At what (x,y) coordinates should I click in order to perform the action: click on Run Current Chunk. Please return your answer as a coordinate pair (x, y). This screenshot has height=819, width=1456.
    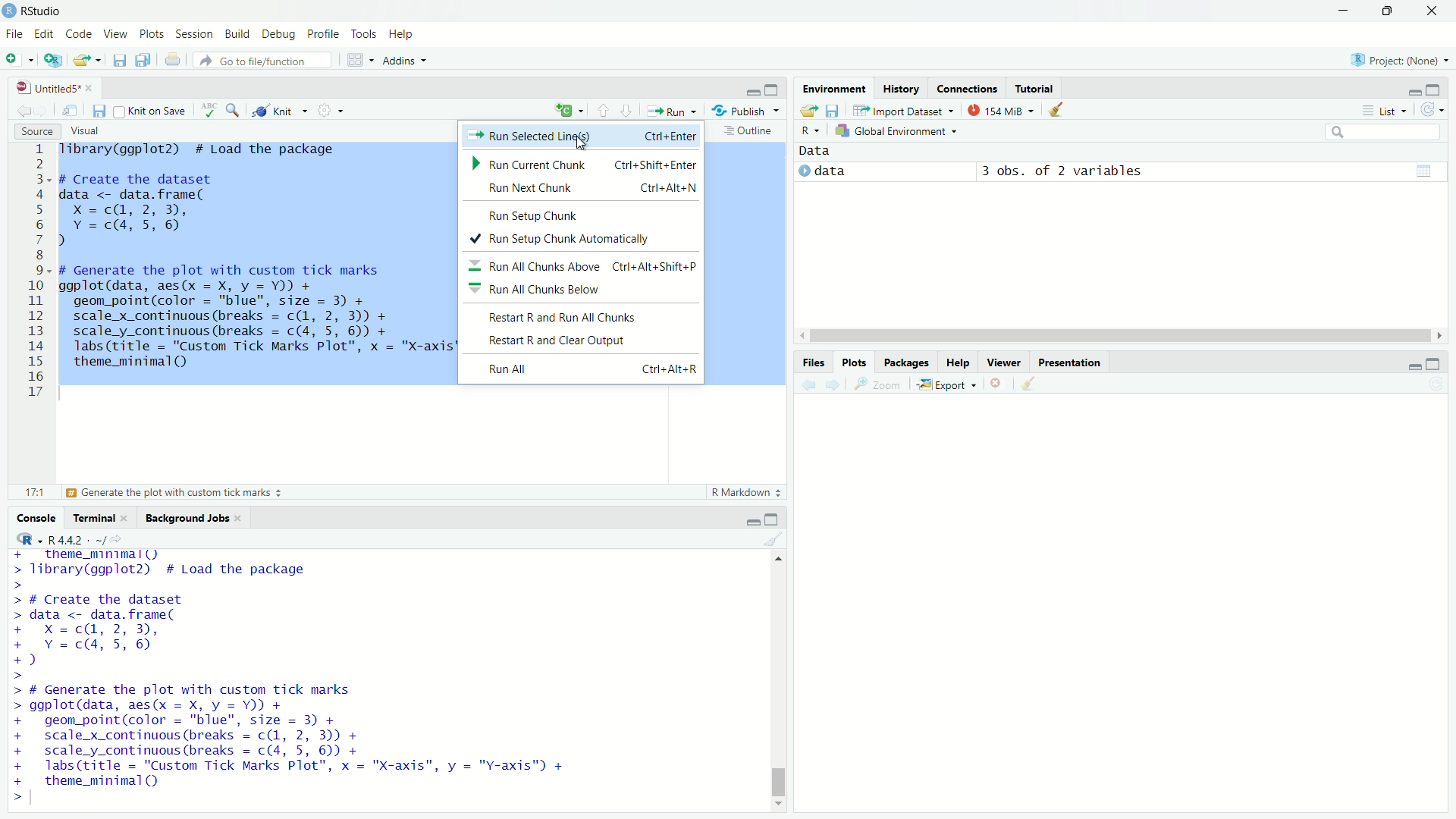
    Looking at the image, I should click on (584, 165).